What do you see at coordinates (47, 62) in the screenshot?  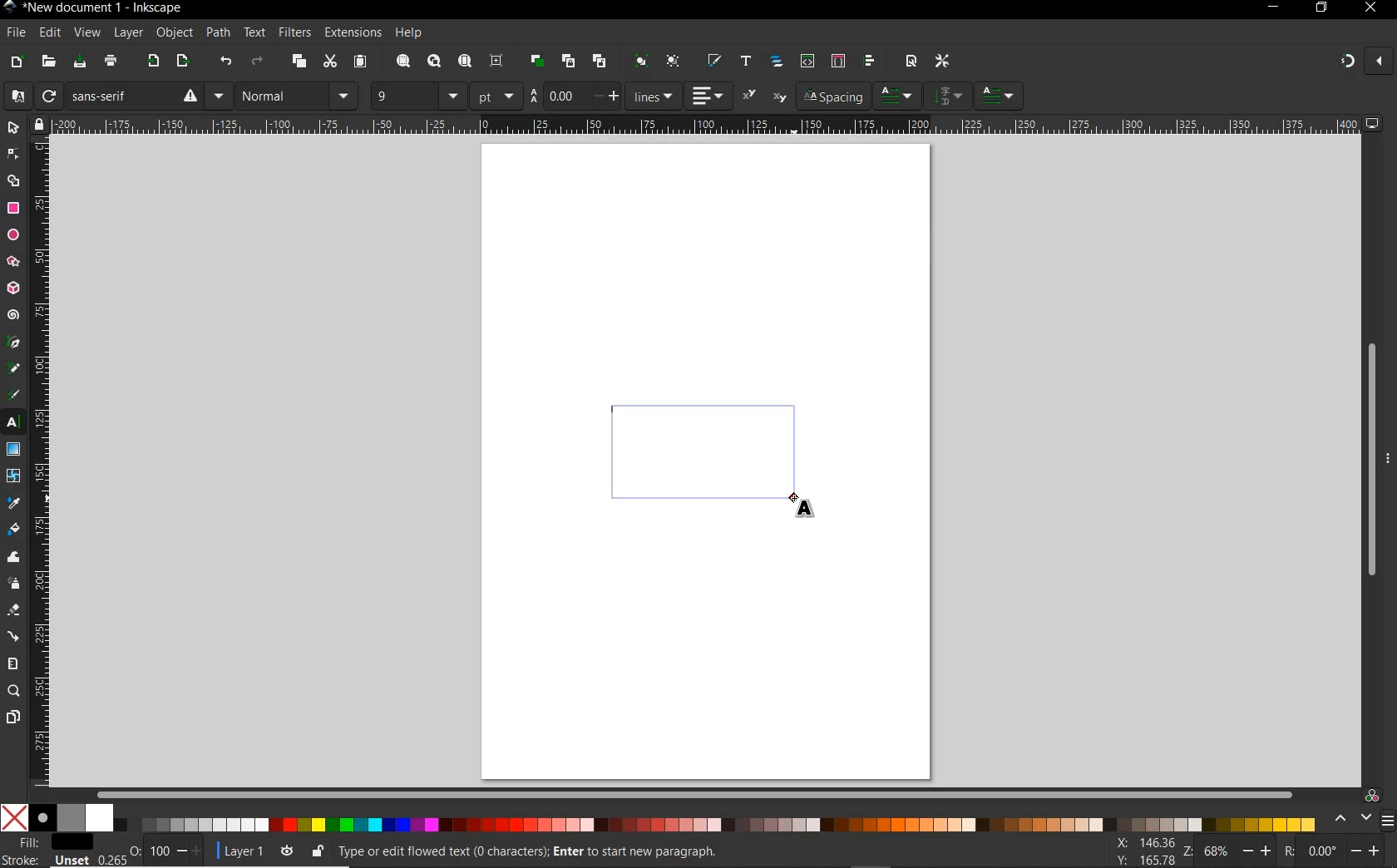 I see `open file dialog` at bounding box center [47, 62].